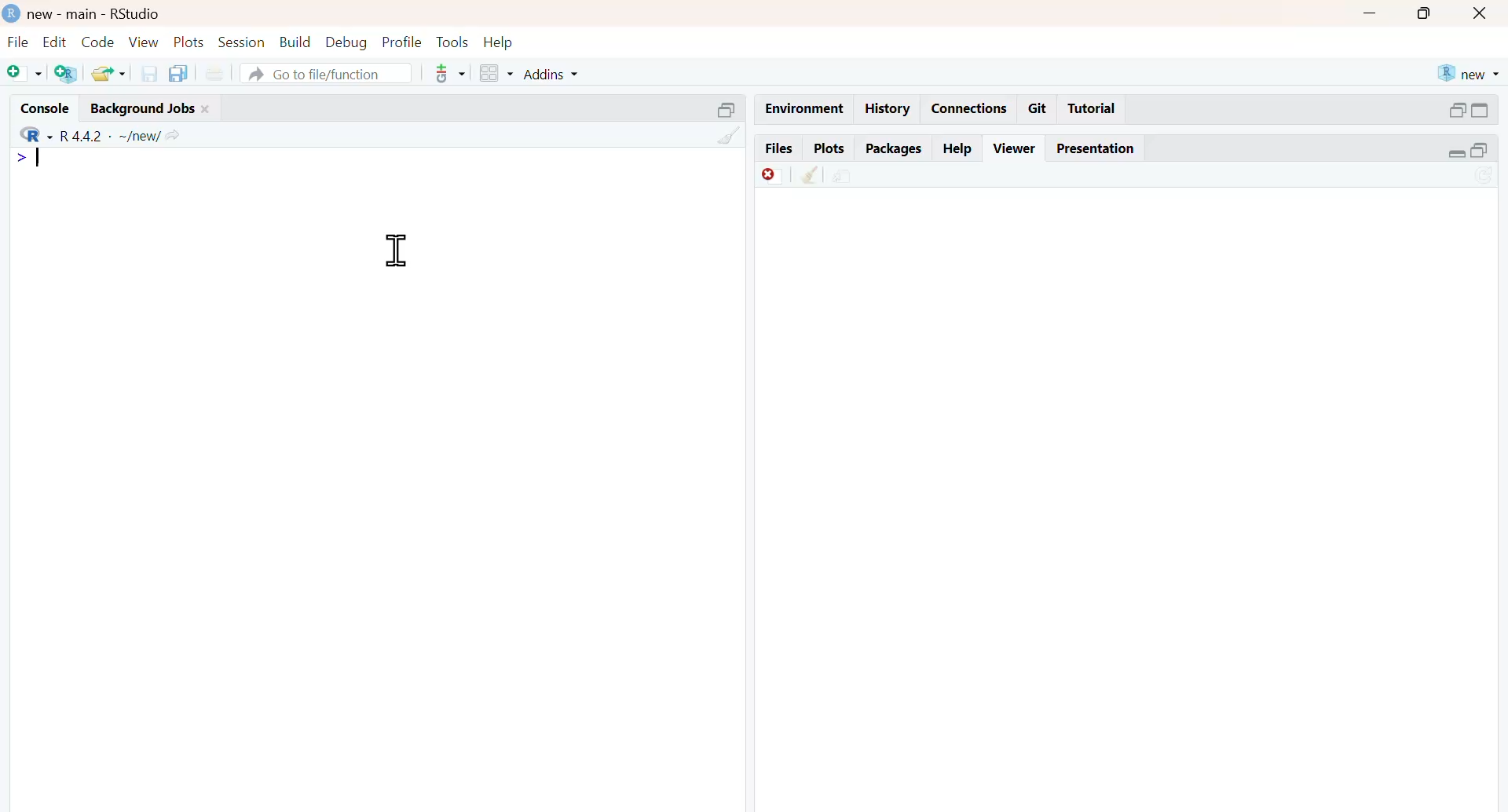 This screenshot has width=1508, height=812. I want to click on Environment , so click(804, 110).